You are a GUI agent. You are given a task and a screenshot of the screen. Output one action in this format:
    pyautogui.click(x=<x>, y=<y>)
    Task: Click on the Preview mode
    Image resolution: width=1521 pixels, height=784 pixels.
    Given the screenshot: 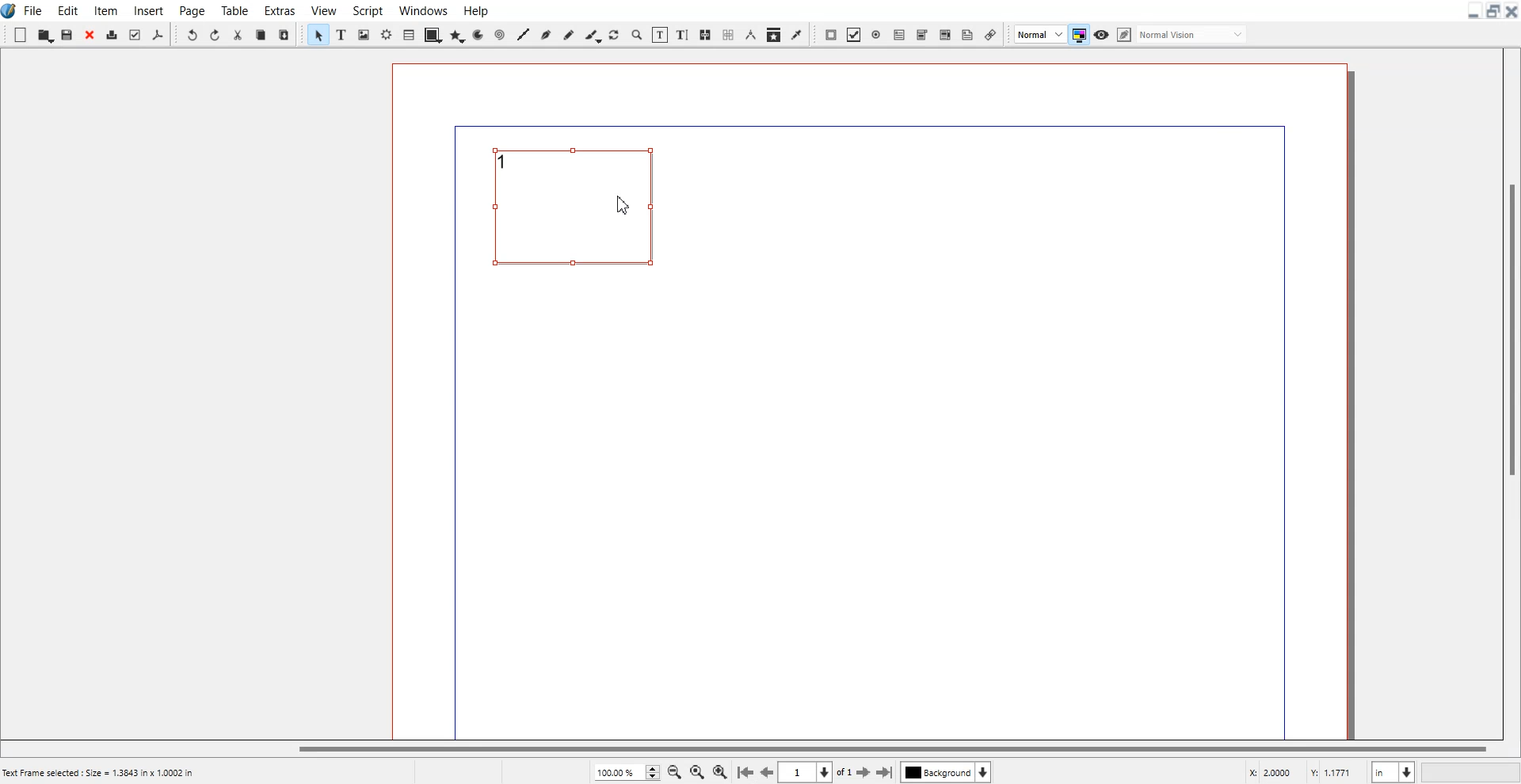 What is the action you would take?
    pyautogui.click(x=1102, y=35)
    